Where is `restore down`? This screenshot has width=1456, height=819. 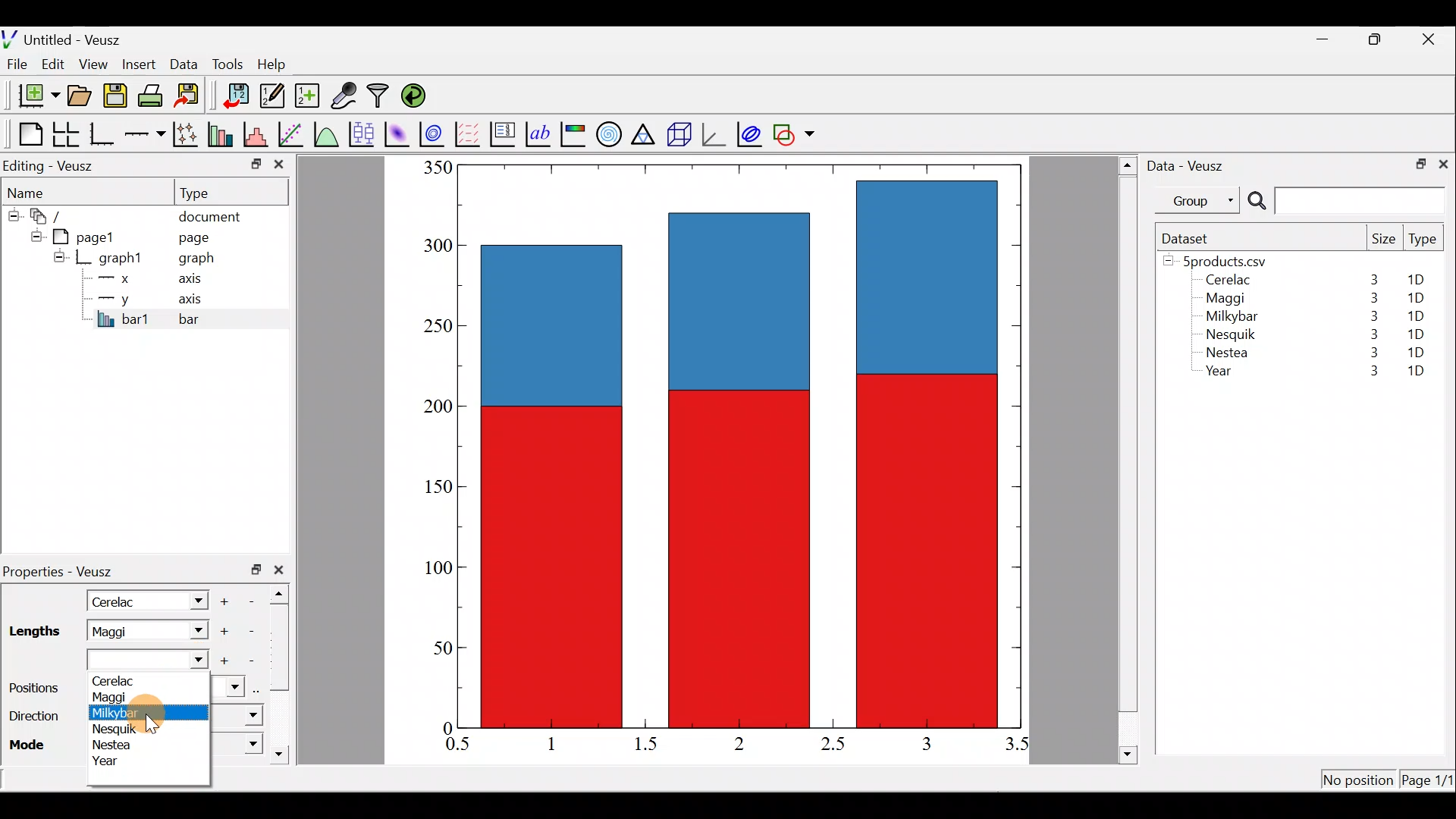
restore down is located at coordinates (1416, 162).